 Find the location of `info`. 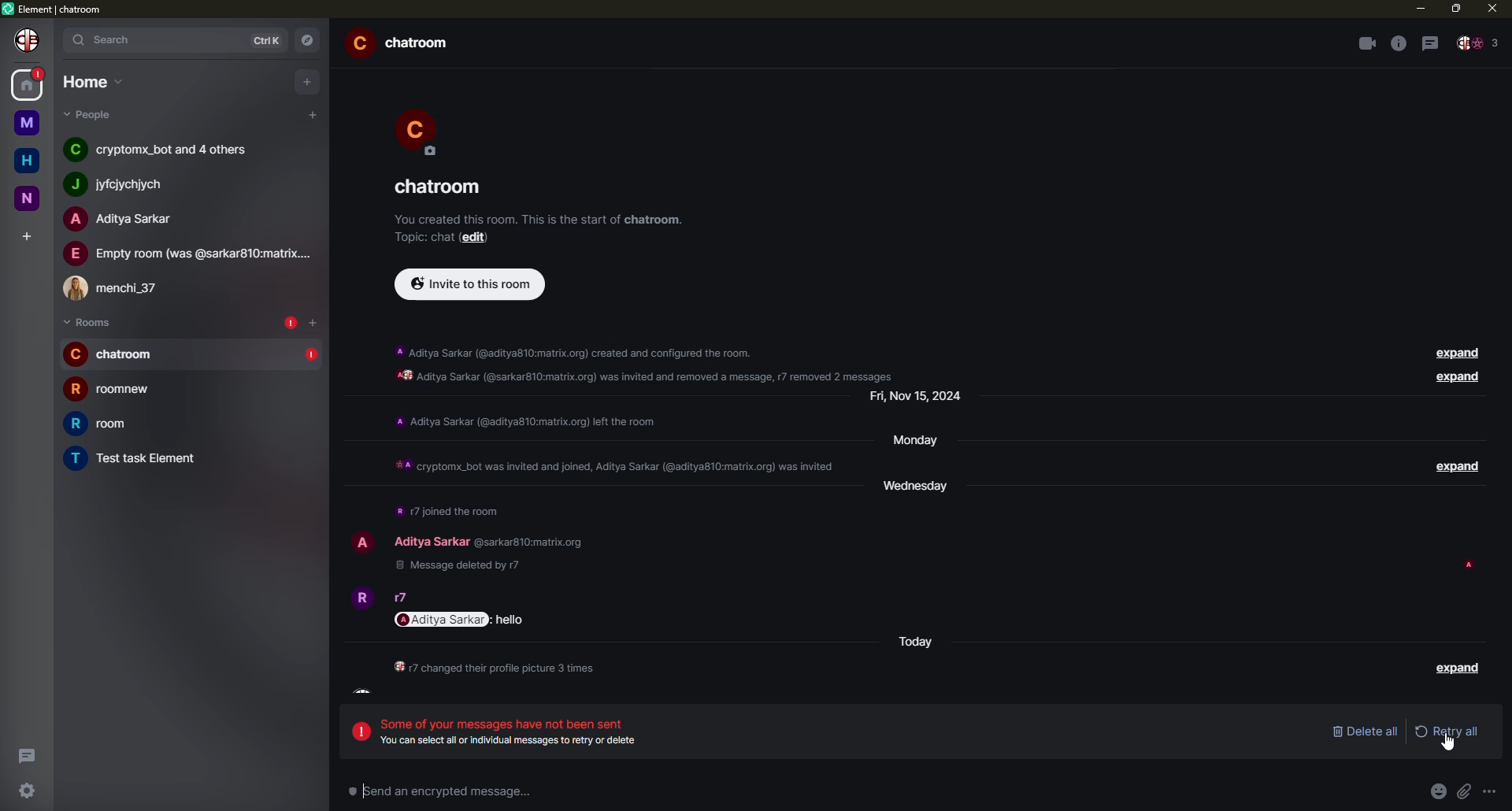

info is located at coordinates (643, 362).